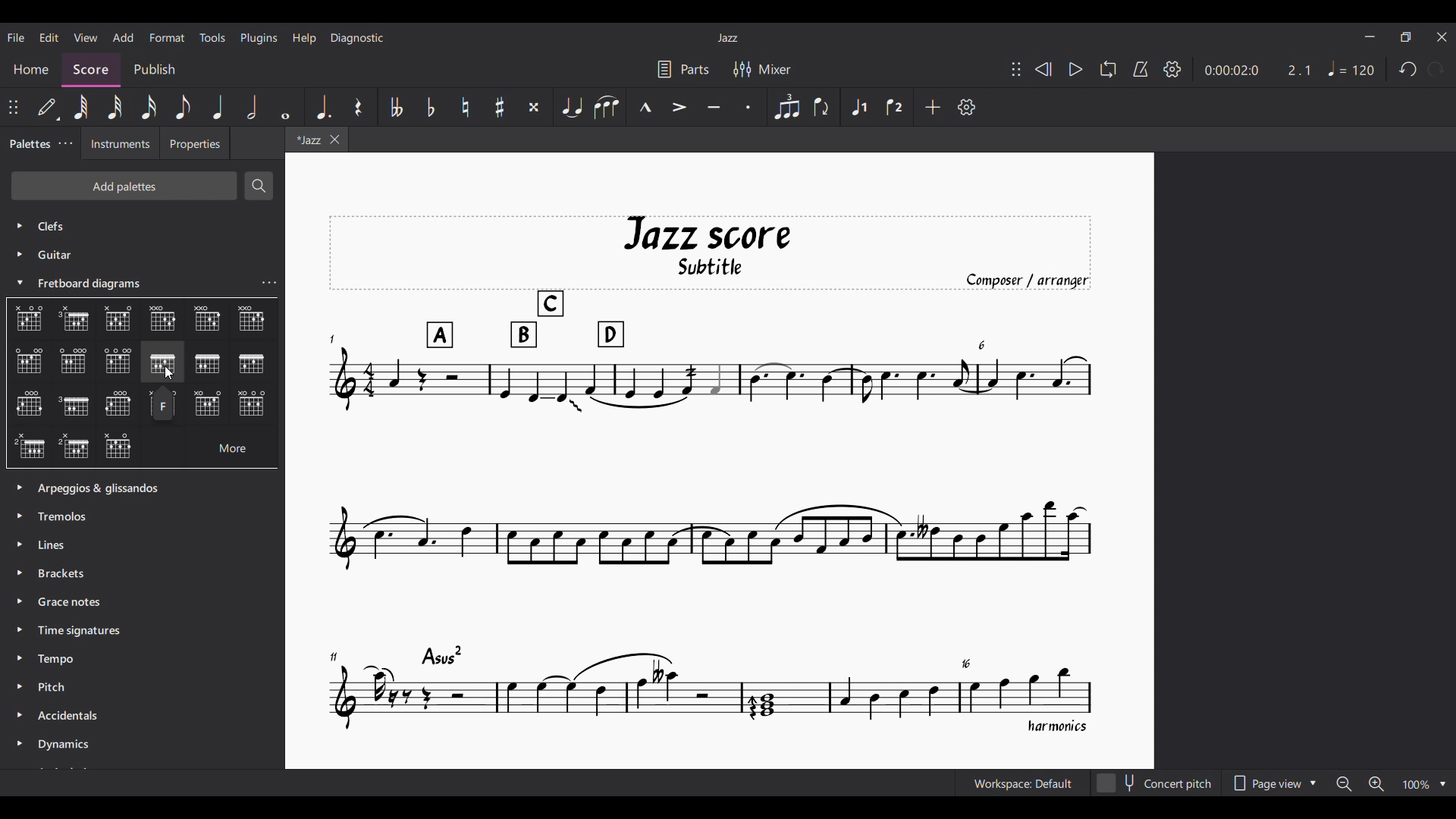 Image resolution: width=1456 pixels, height=819 pixels. I want to click on Flip direction, so click(821, 106).